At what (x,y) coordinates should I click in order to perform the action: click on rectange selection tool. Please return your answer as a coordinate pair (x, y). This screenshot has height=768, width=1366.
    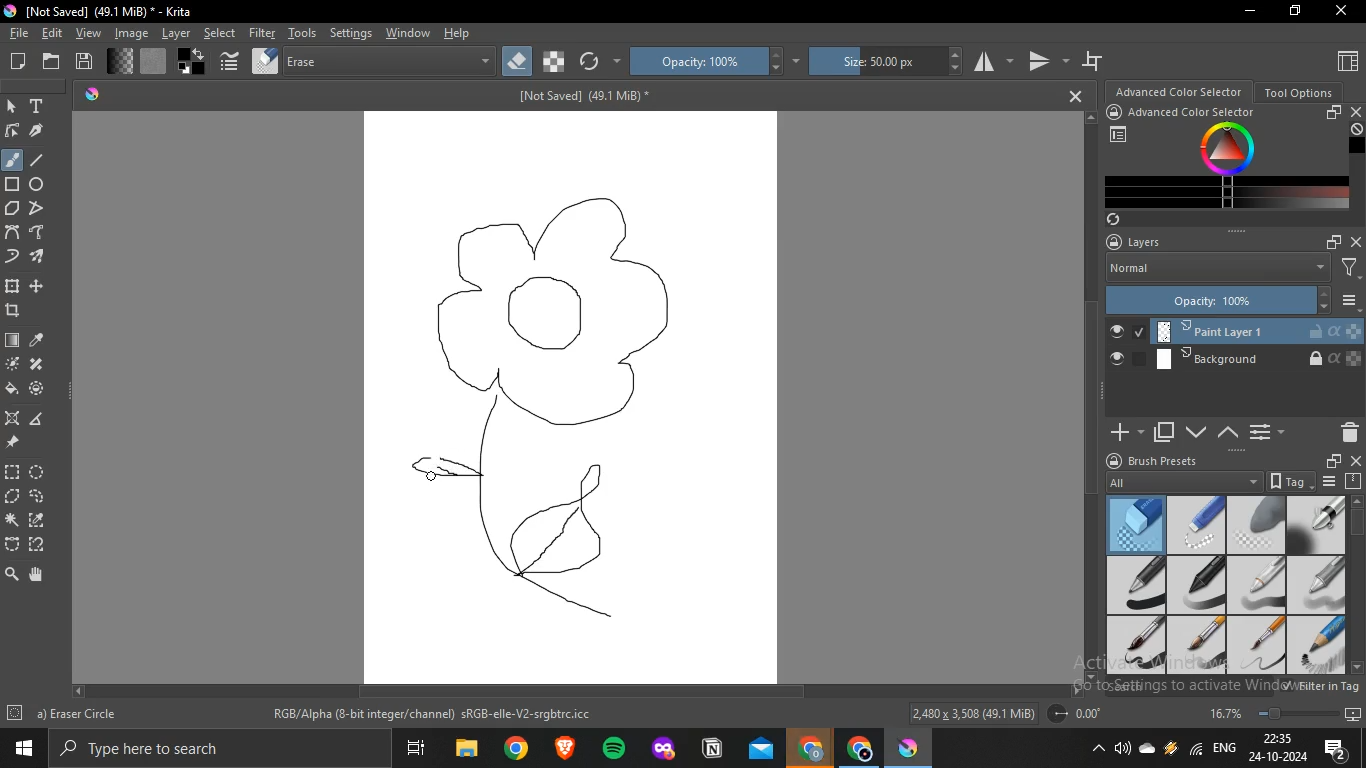
    Looking at the image, I should click on (12, 471).